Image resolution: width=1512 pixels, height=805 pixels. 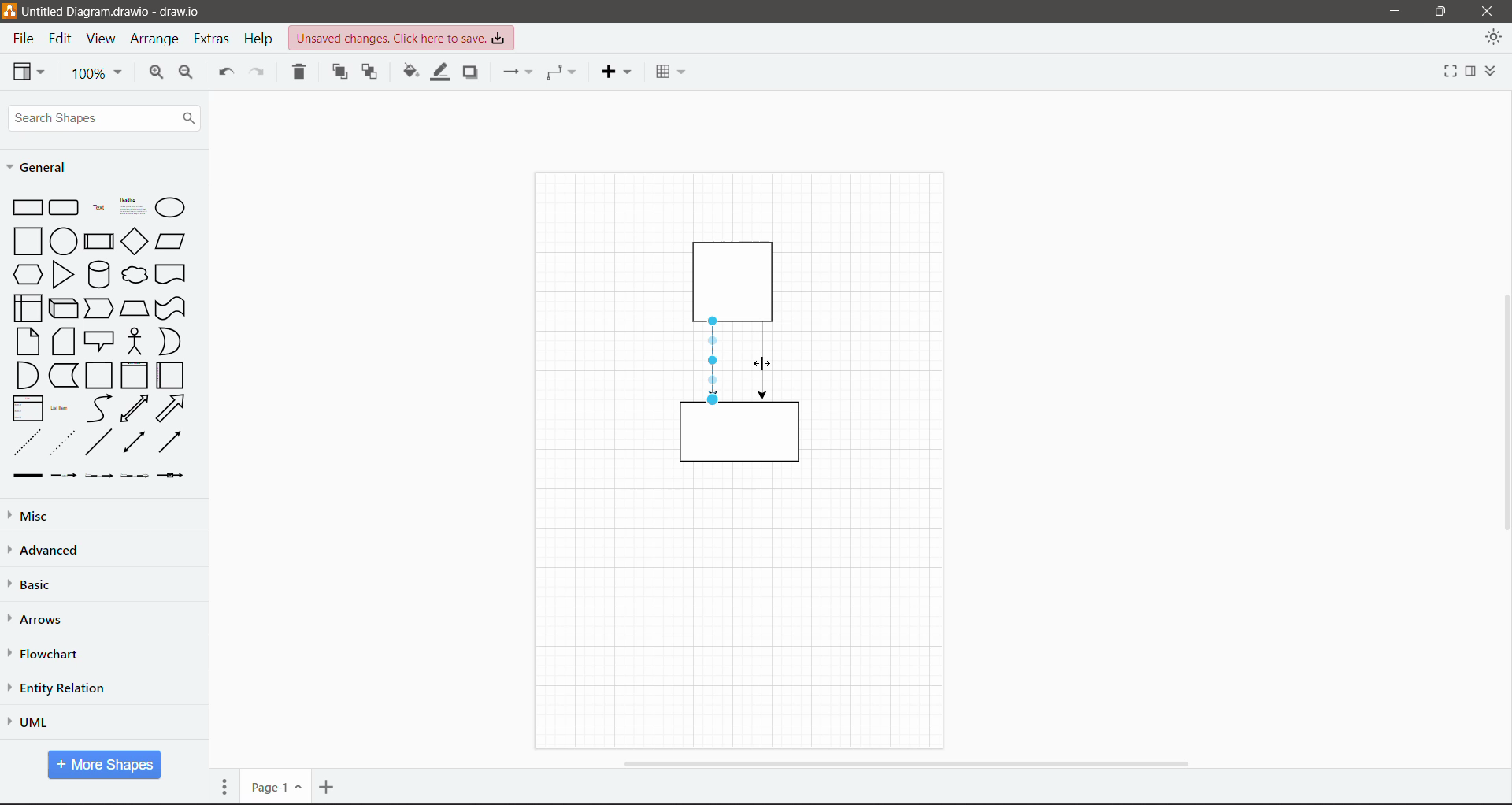 I want to click on Container, so click(x=134, y=375).